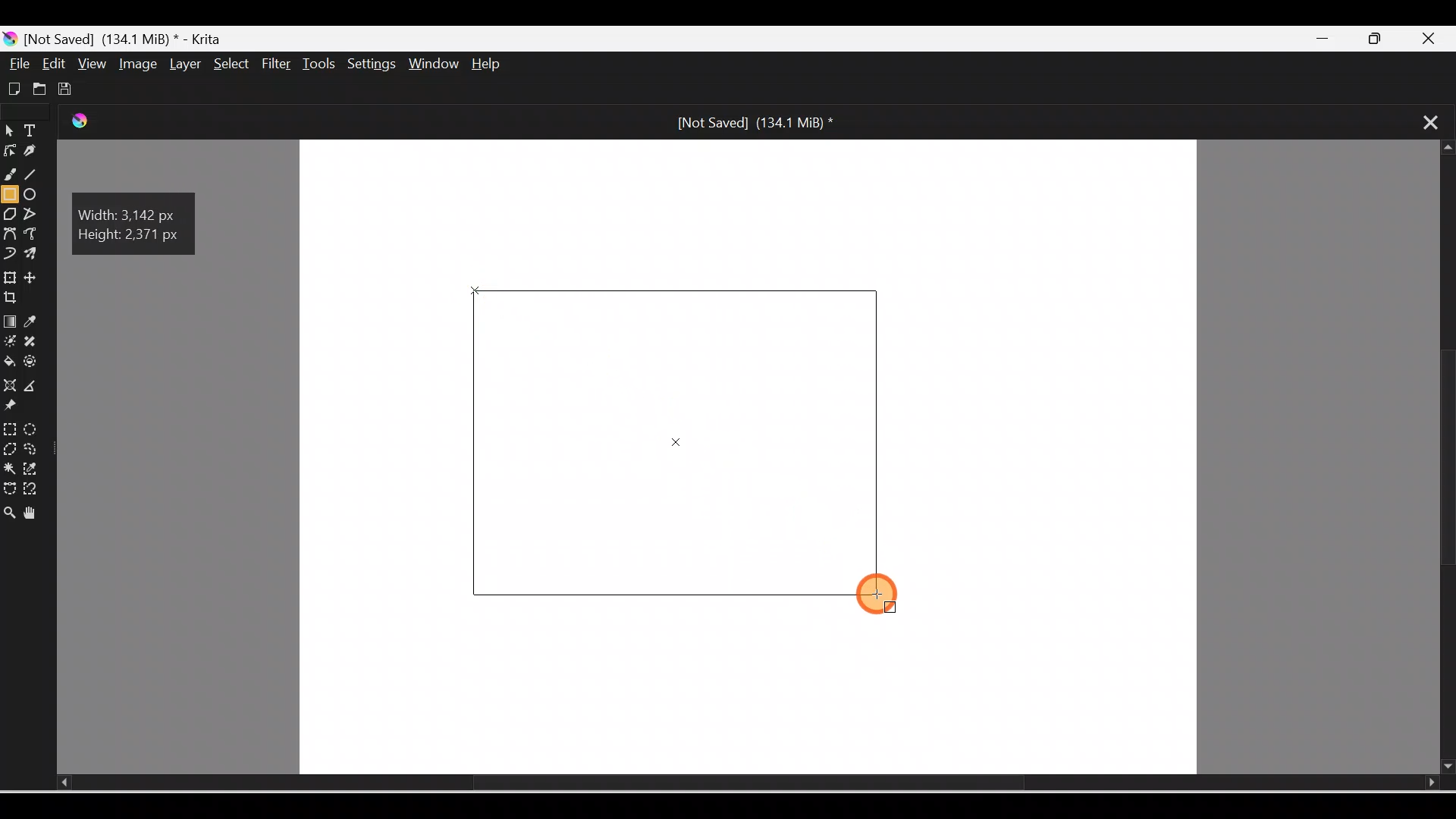 This screenshot has height=819, width=1456. Describe the element at coordinates (12, 177) in the screenshot. I see `Freehand brush tool` at that location.